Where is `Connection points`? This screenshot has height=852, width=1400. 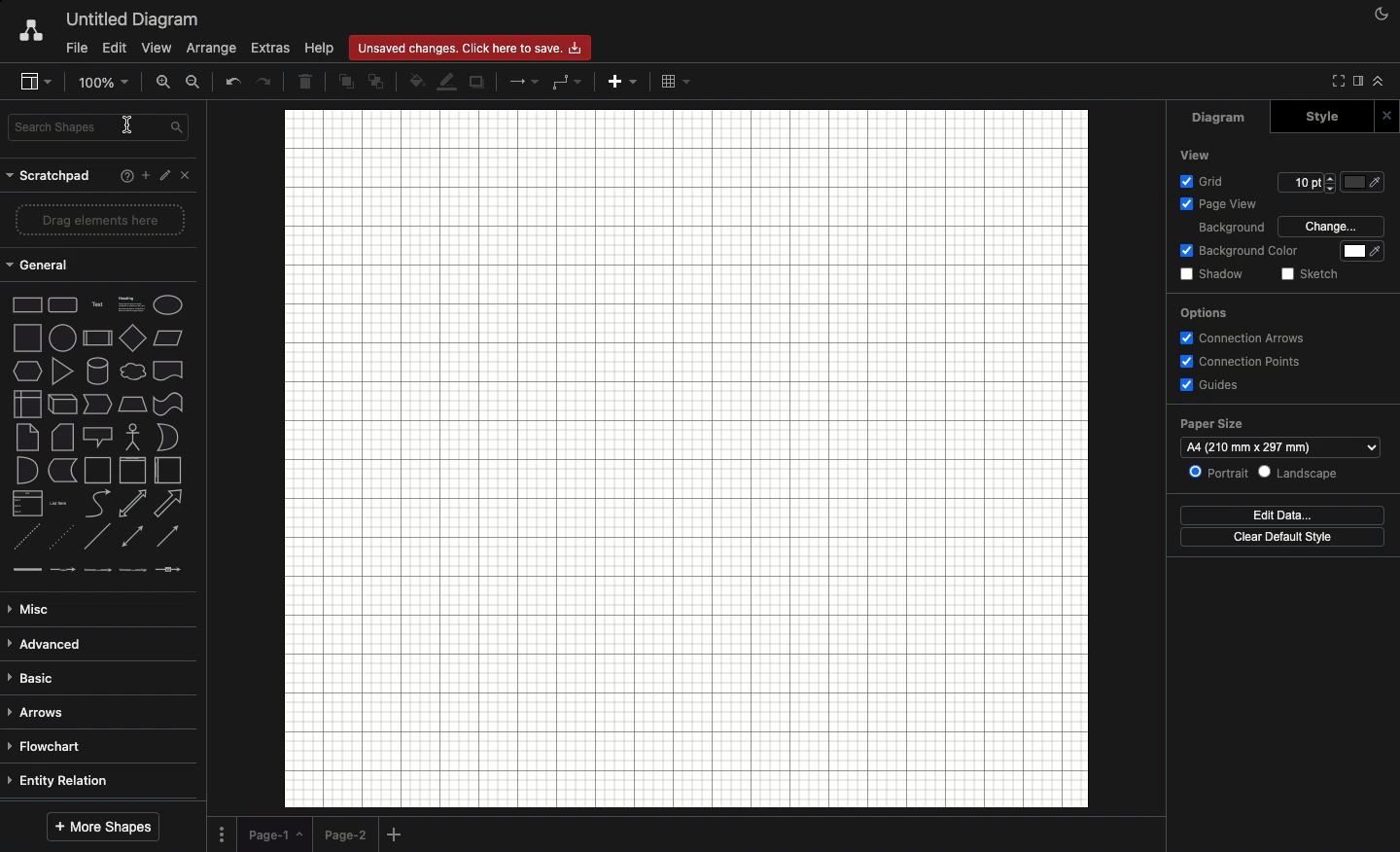 Connection points is located at coordinates (1241, 363).